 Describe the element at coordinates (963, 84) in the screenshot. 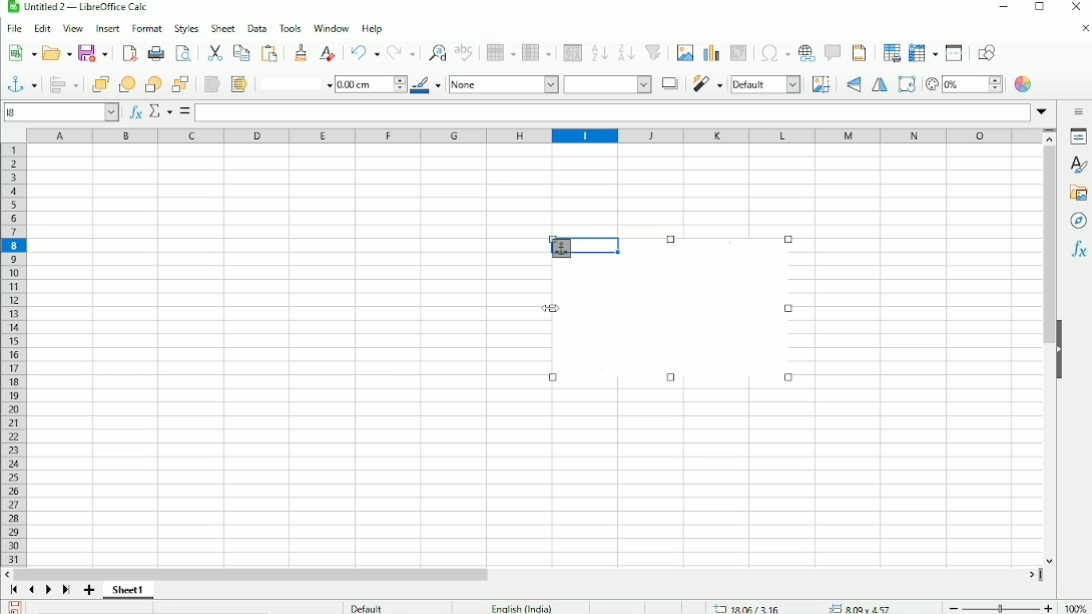

I see `Transparency` at that location.